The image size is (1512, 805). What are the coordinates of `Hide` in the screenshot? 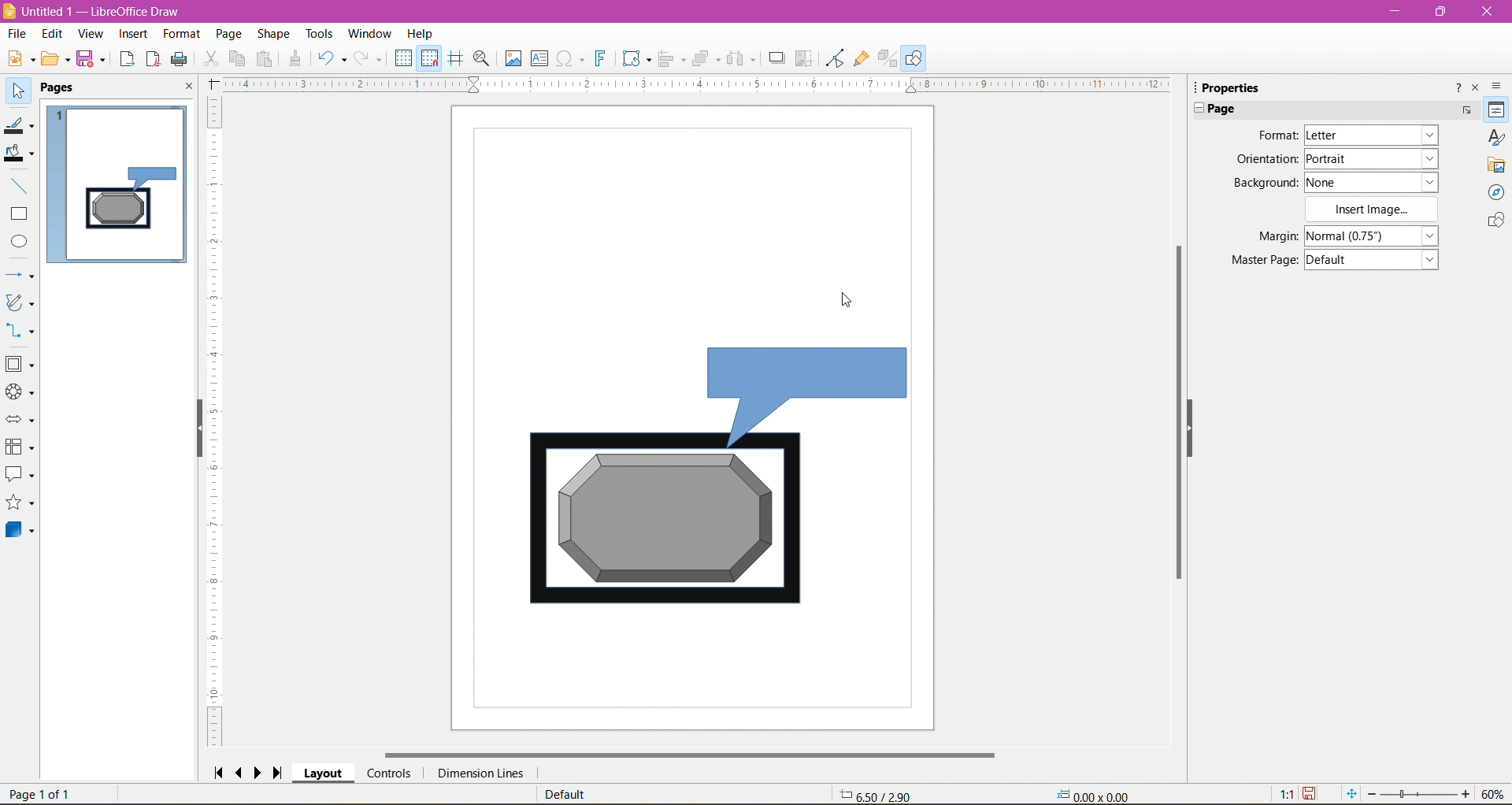 It's located at (1201, 436).